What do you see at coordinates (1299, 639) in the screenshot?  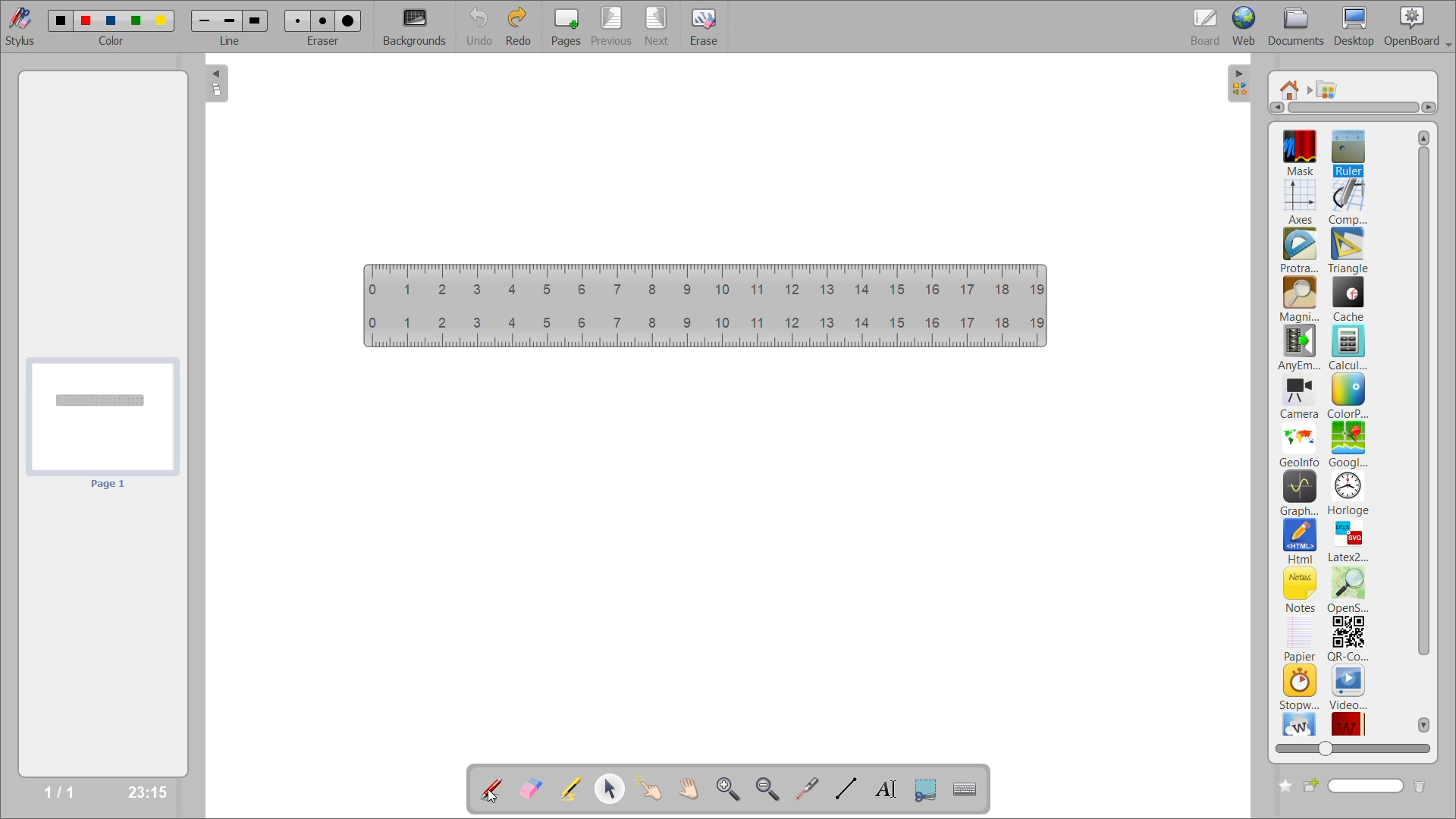 I see `papier` at bounding box center [1299, 639].